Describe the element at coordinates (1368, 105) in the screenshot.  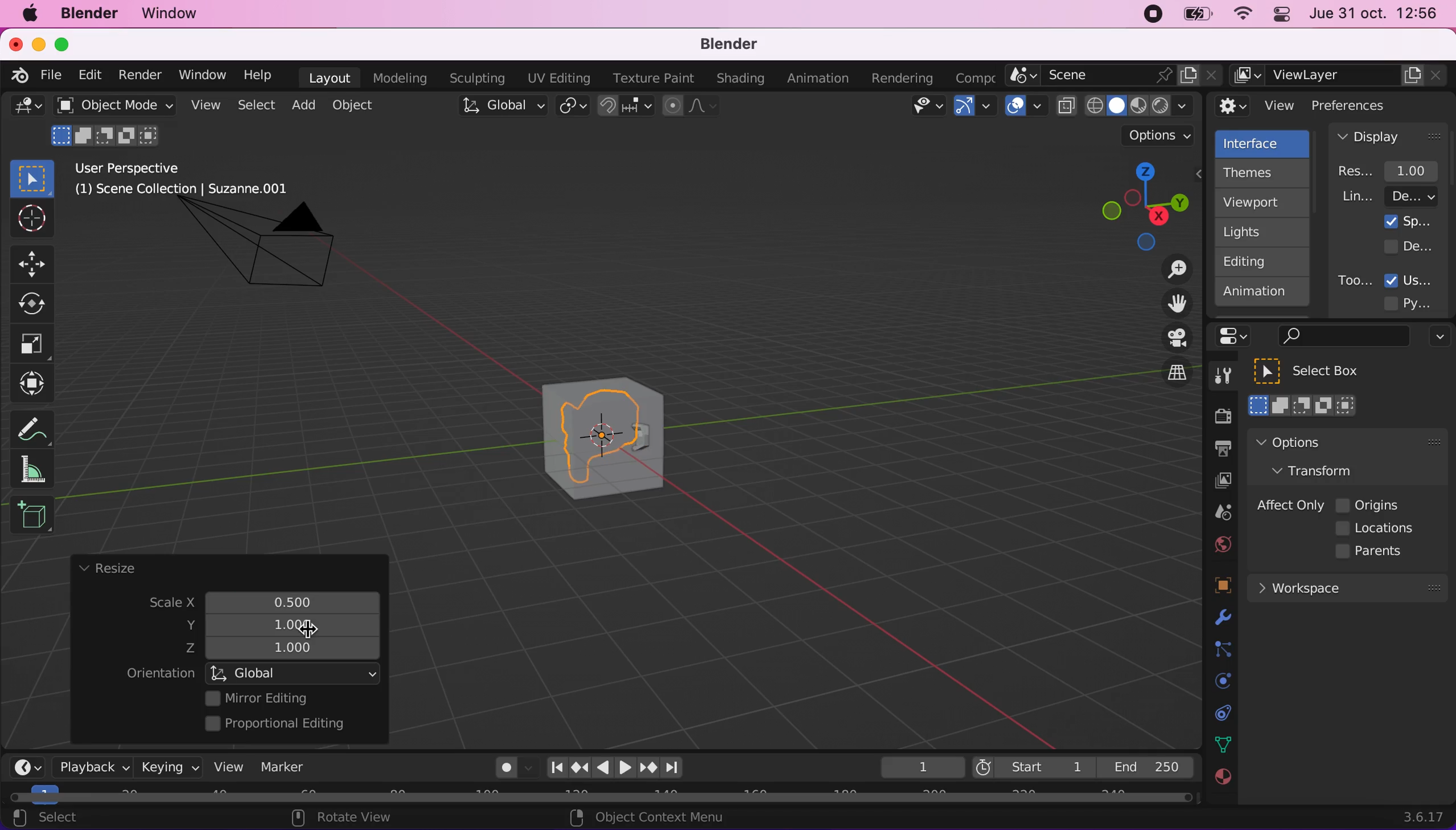
I see `preferences` at that location.